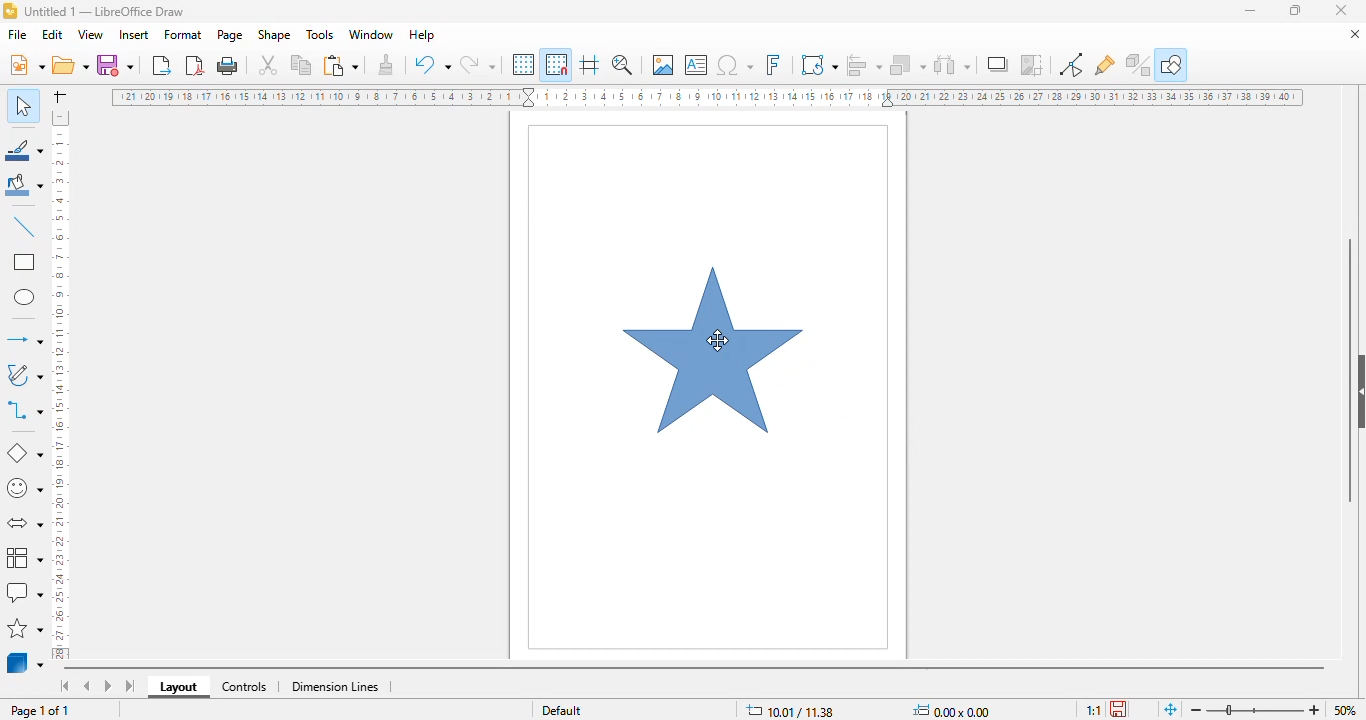  I want to click on zoom & pan, so click(623, 65).